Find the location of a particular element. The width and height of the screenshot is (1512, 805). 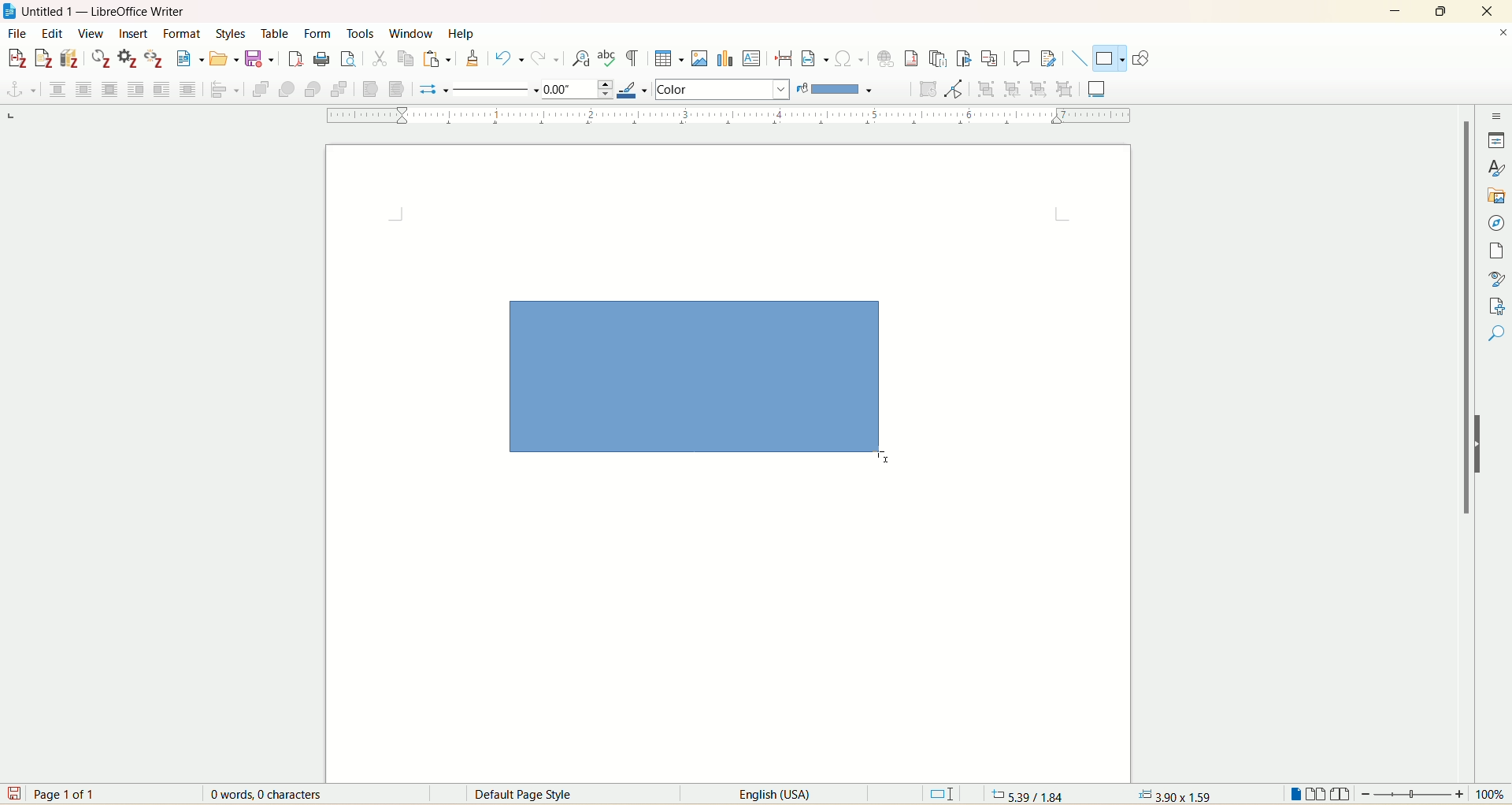

file is located at coordinates (16, 35).